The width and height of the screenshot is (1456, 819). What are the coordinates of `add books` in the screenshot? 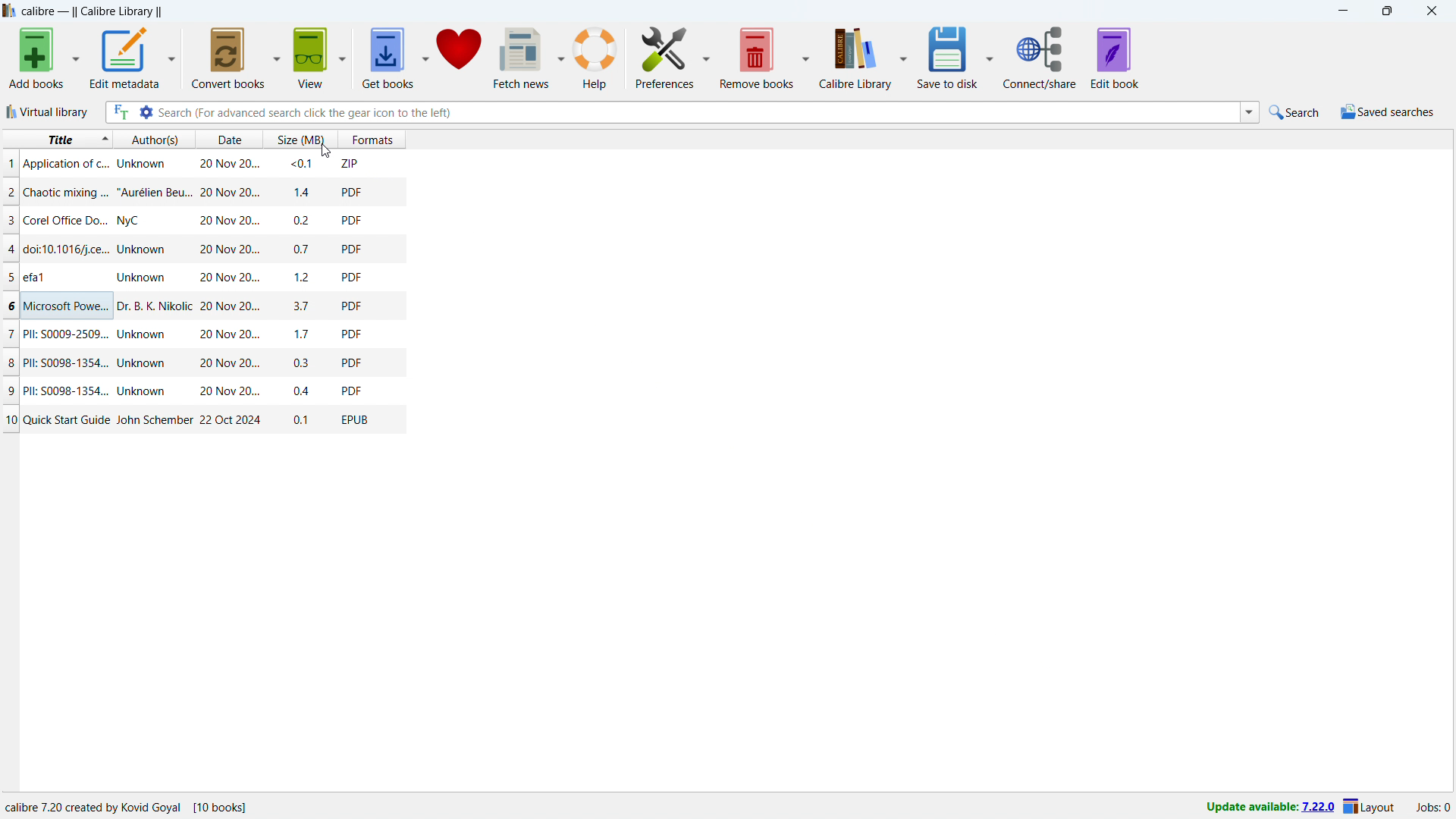 It's located at (37, 58).